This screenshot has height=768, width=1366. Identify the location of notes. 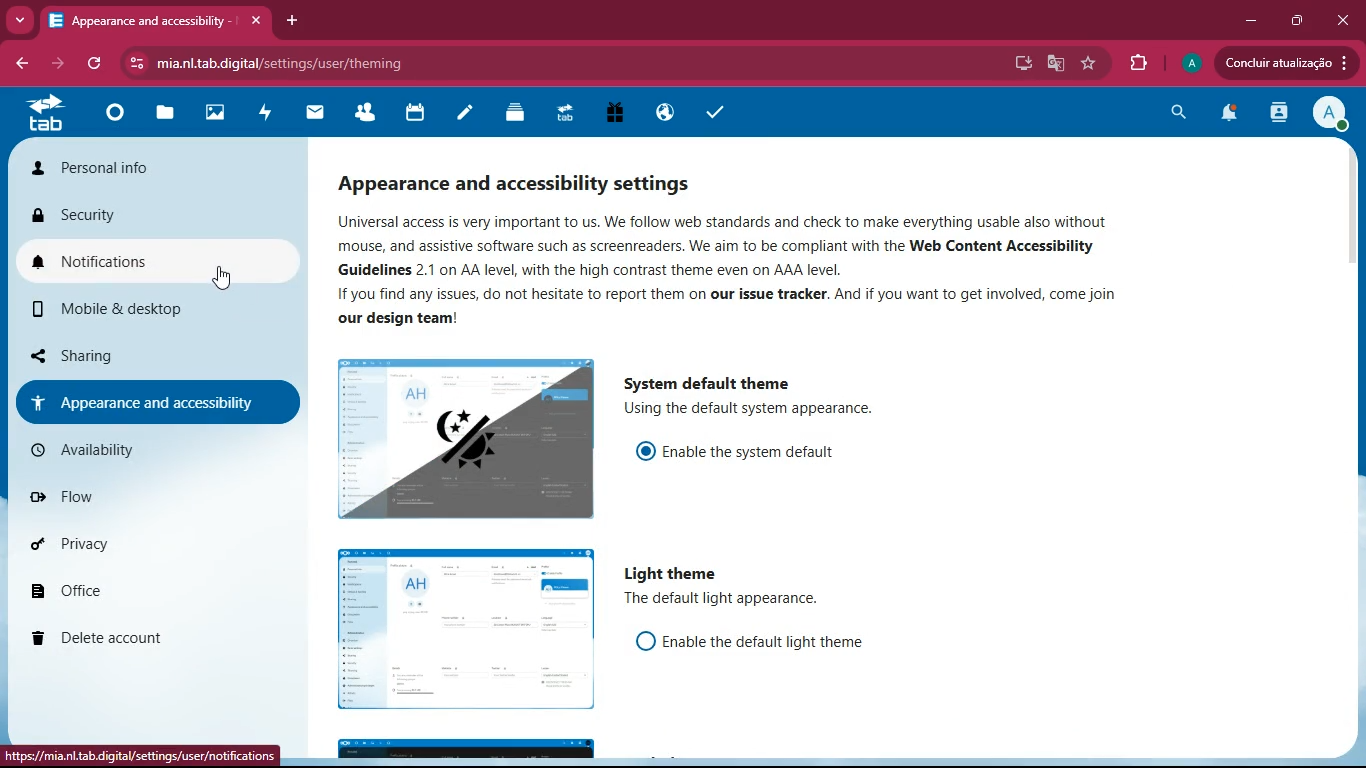
(462, 117).